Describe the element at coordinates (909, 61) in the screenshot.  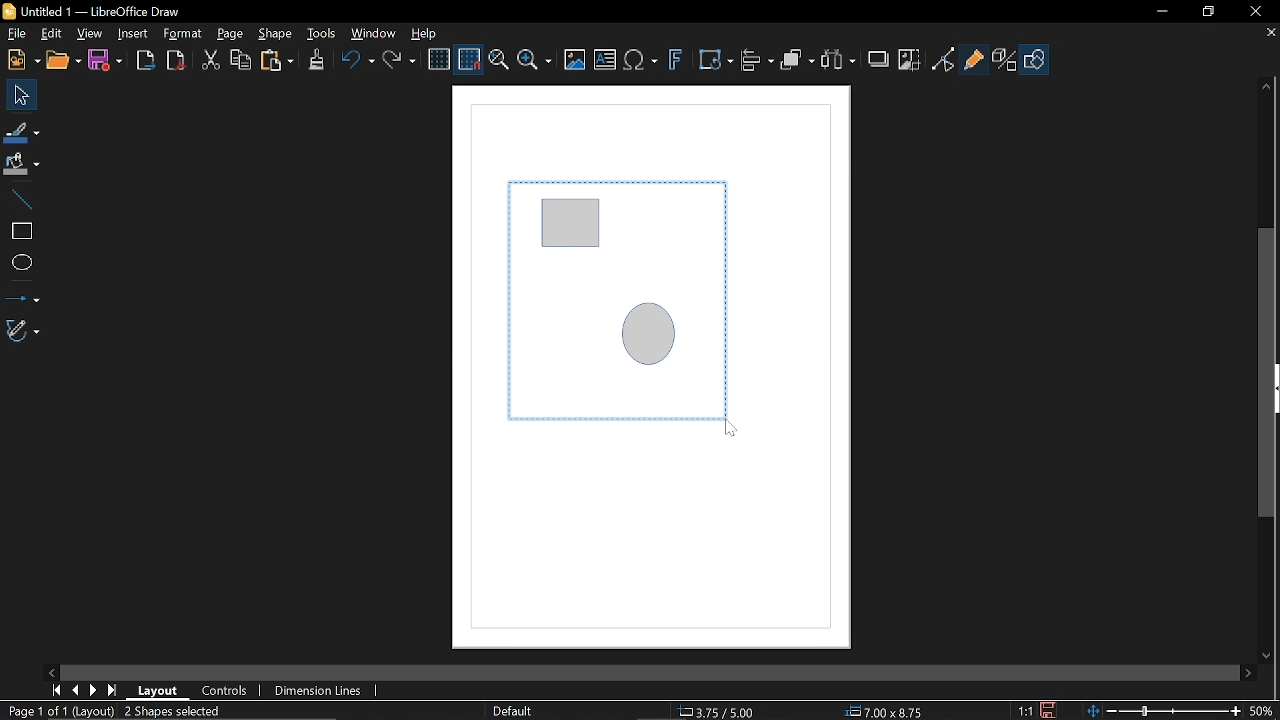
I see `Crop` at that location.